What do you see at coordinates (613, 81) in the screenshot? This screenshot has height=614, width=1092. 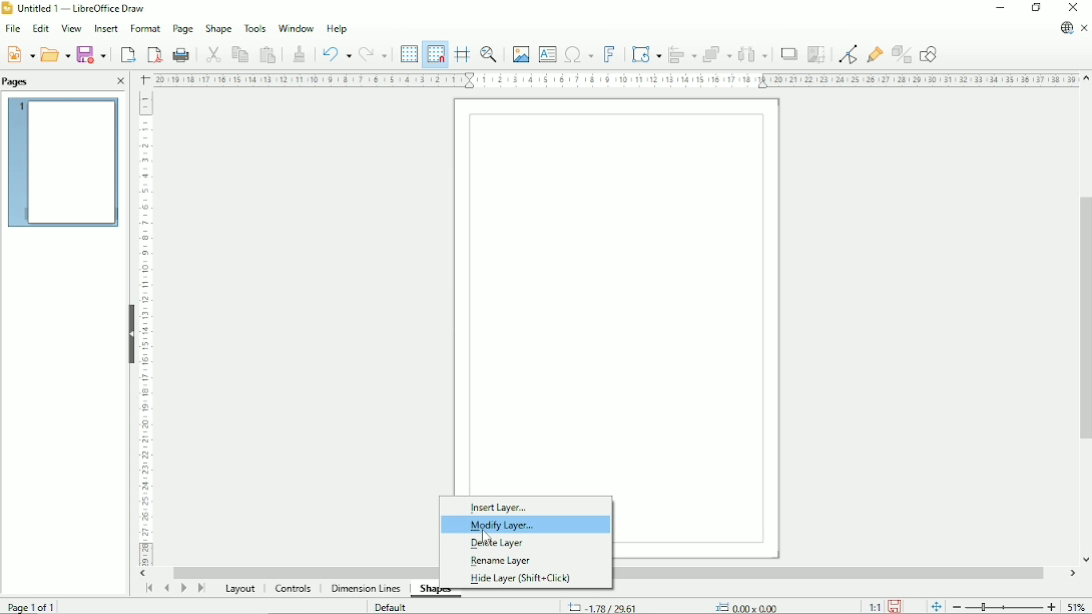 I see `Horizontal scale` at bounding box center [613, 81].